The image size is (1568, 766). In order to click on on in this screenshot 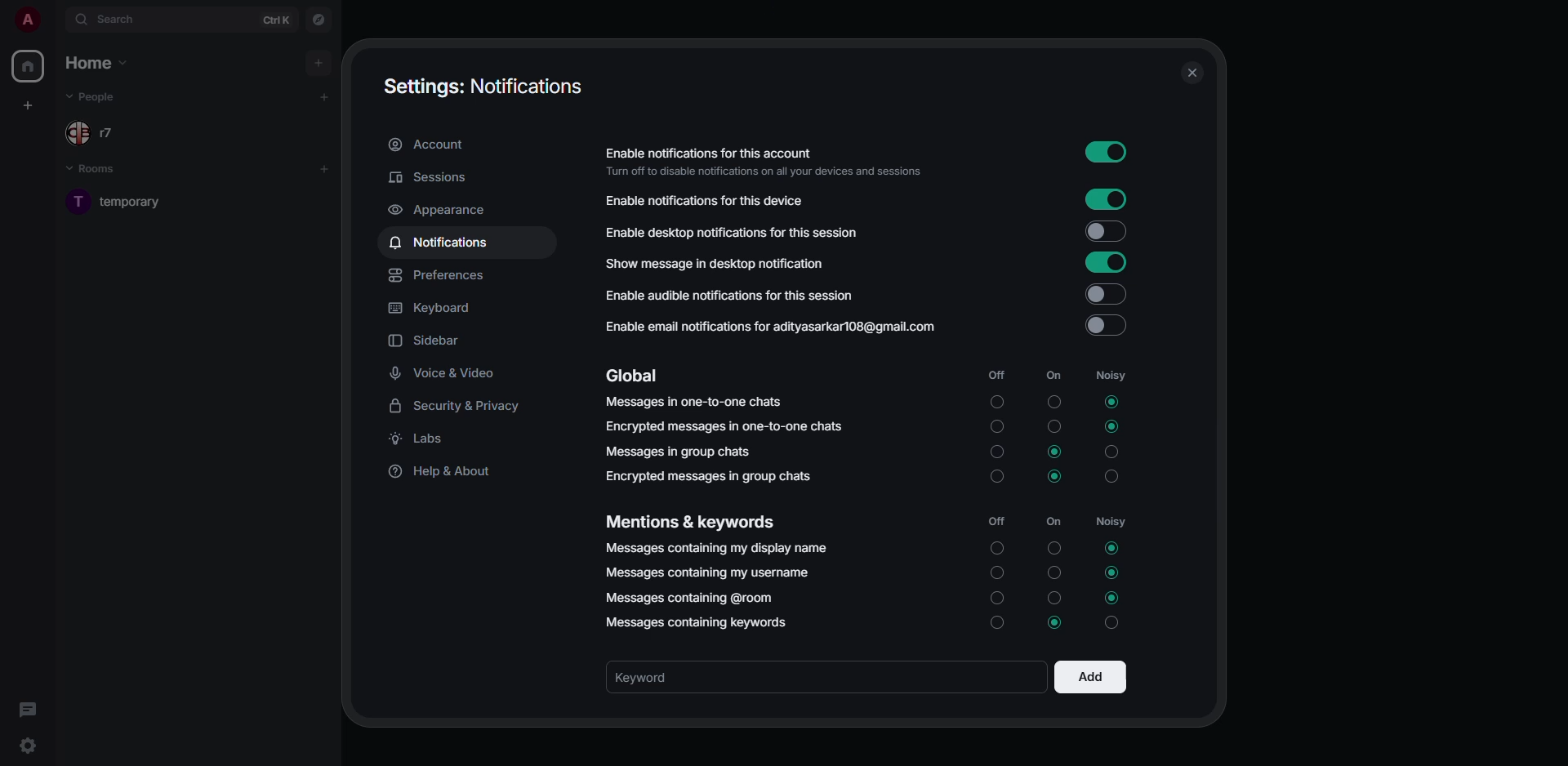, I will do `click(995, 550)`.